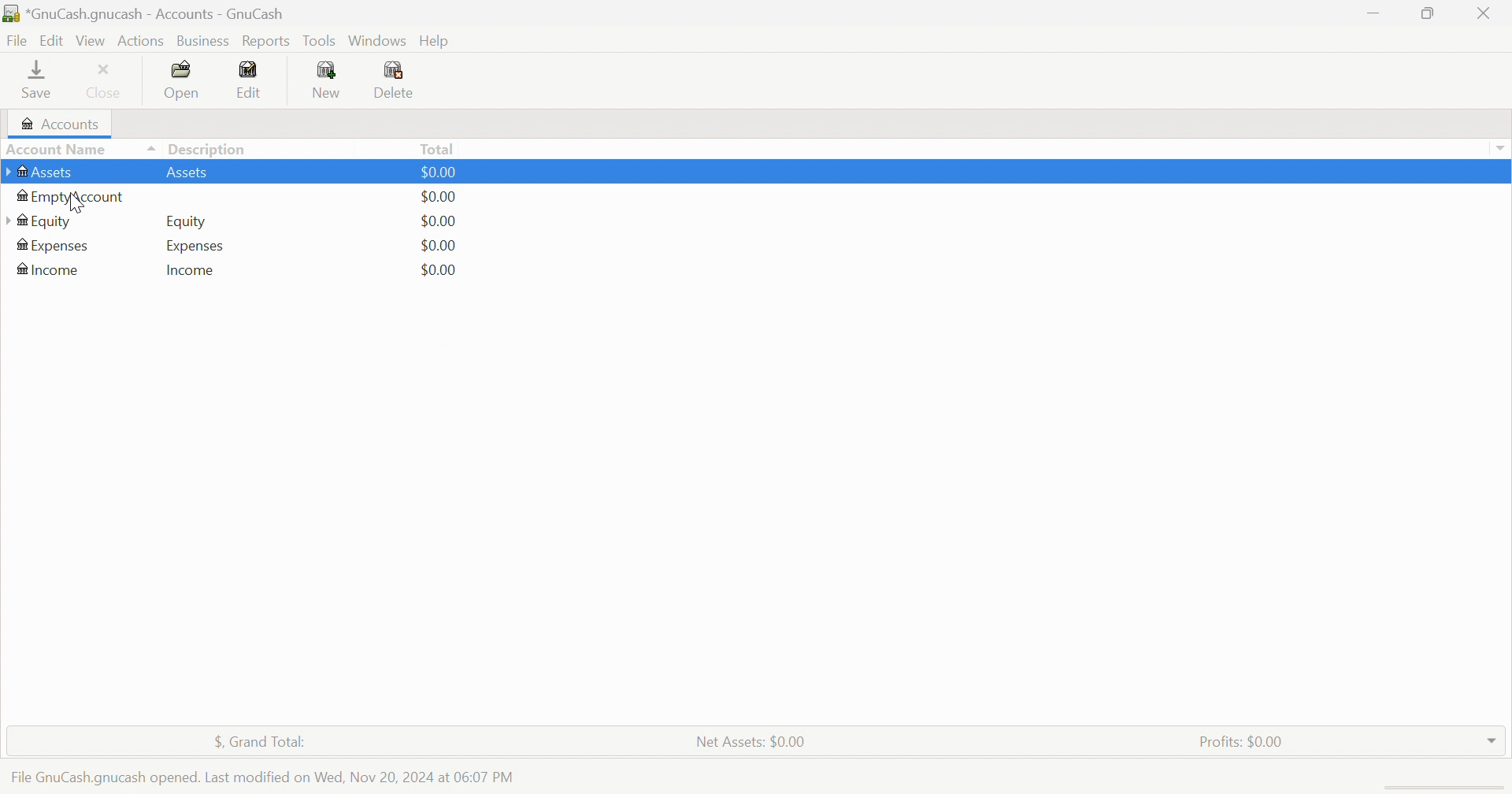  Describe the element at coordinates (193, 247) in the screenshot. I see `Expenses` at that location.